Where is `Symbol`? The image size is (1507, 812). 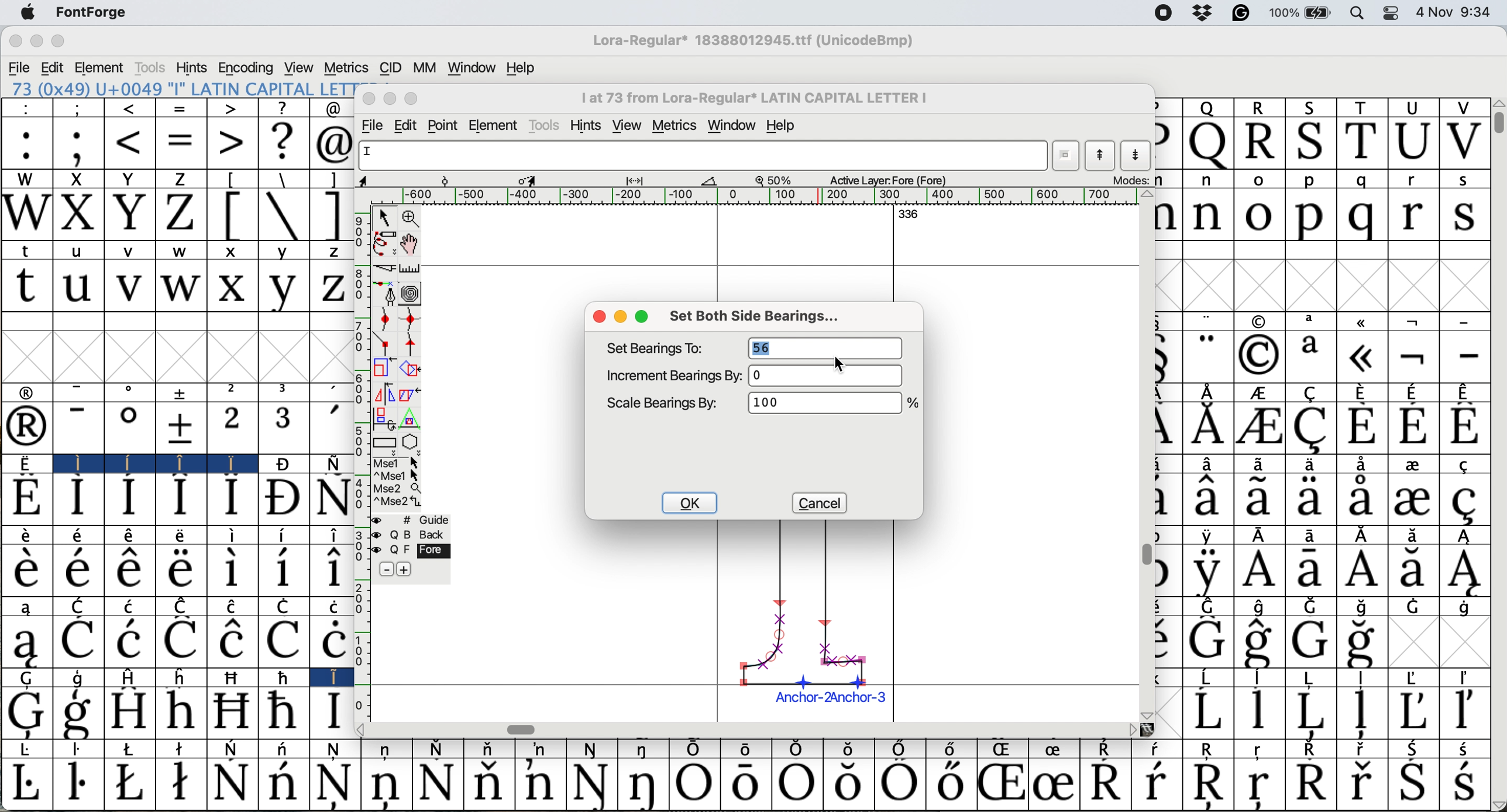 Symbol is located at coordinates (1465, 391).